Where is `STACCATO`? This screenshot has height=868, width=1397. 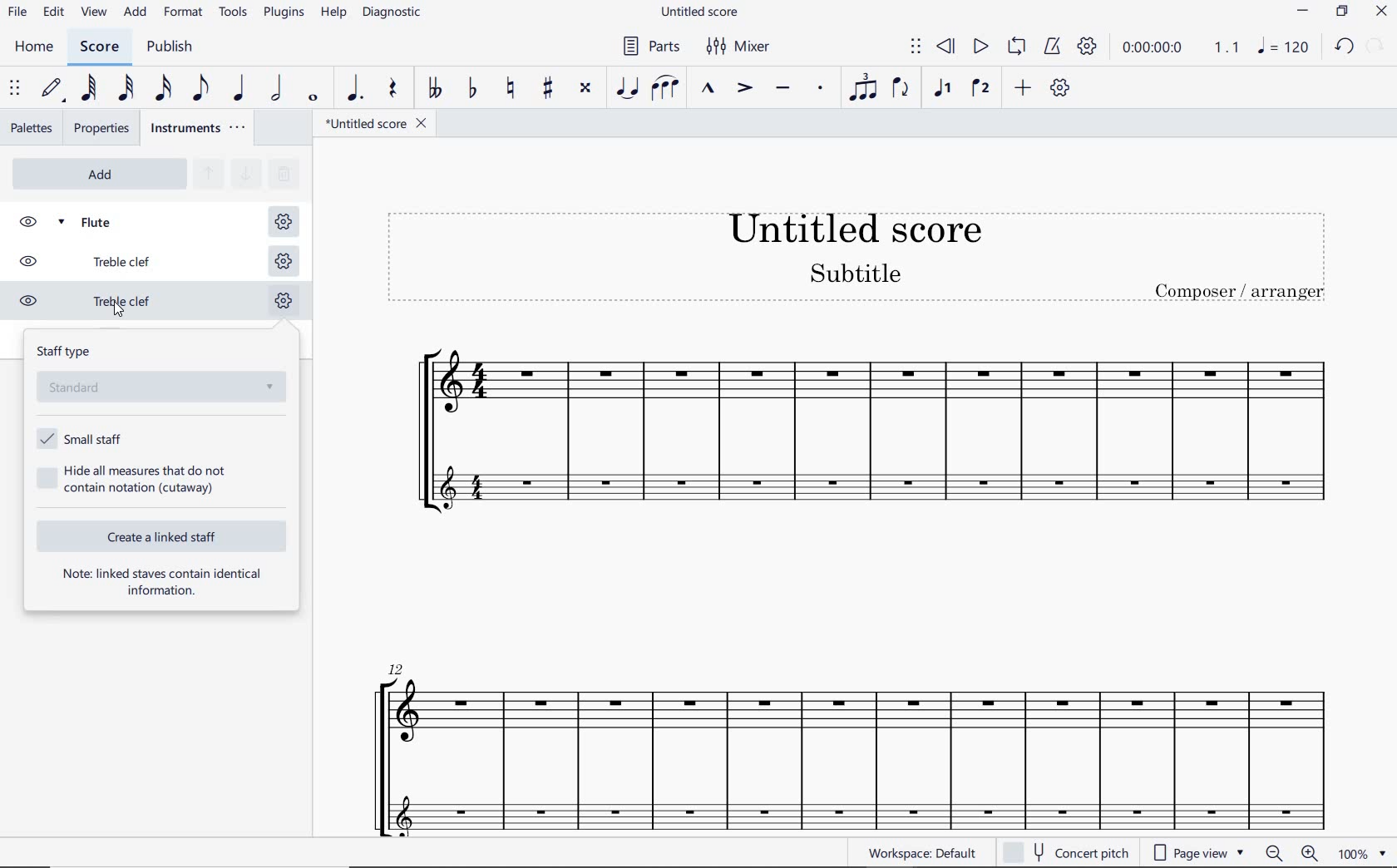 STACCATO is located at coordinates (818, 88).